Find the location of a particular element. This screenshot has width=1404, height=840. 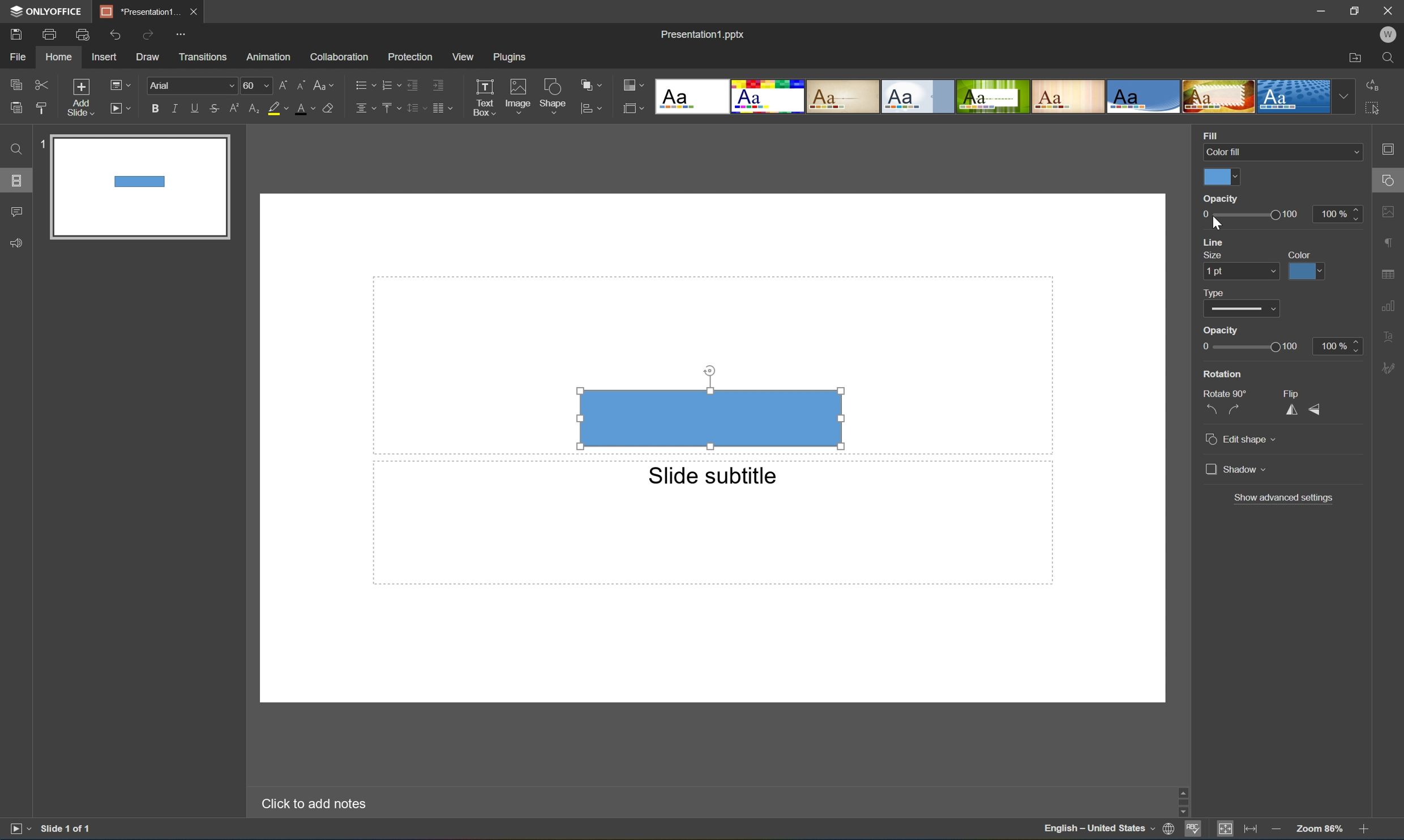

Comments is located at coordinates (17, 212).